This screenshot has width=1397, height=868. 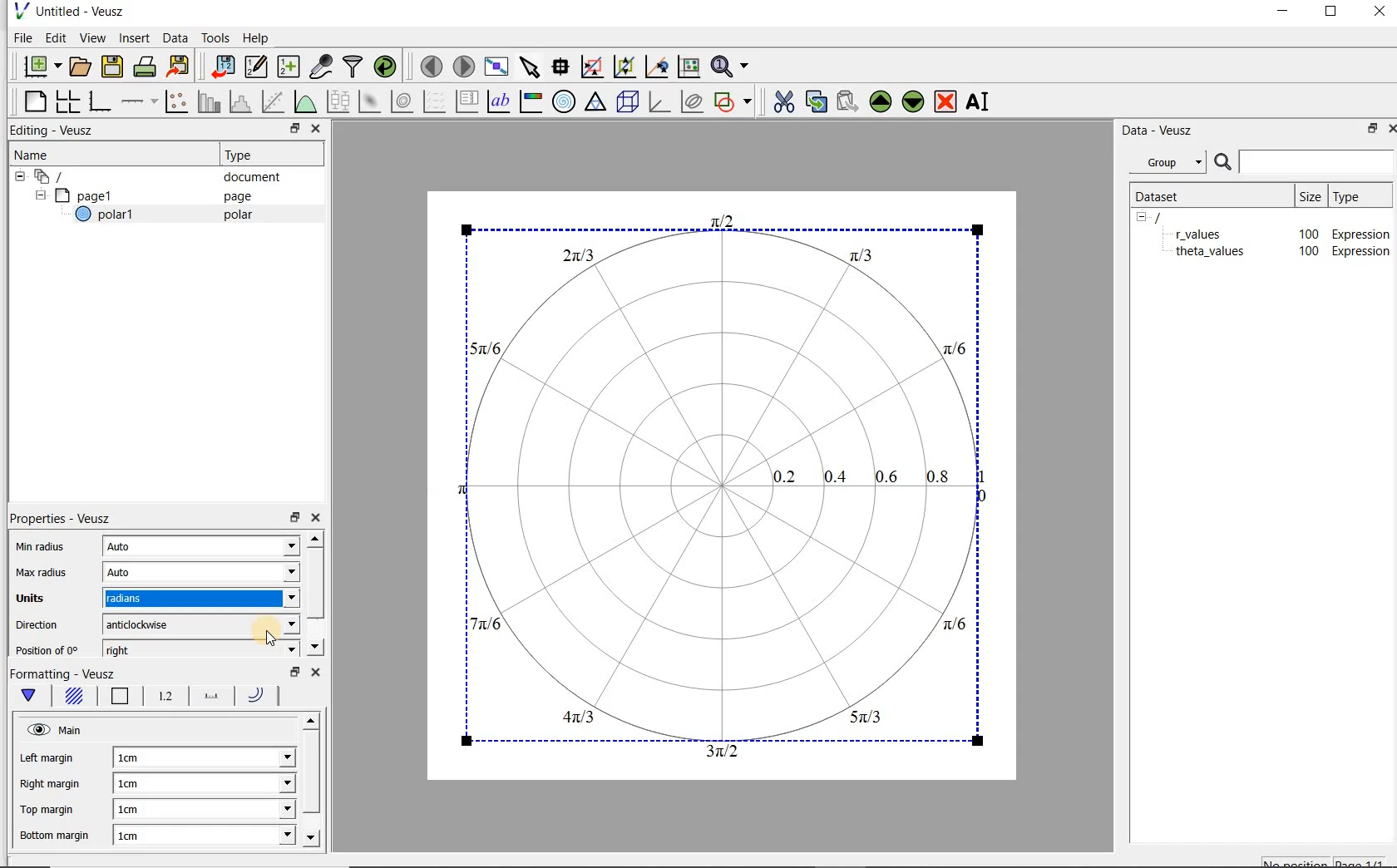 What do you see at coordinates (468, 101) in the screenshot?
I see `plot key` at bounding box center [468, 101].